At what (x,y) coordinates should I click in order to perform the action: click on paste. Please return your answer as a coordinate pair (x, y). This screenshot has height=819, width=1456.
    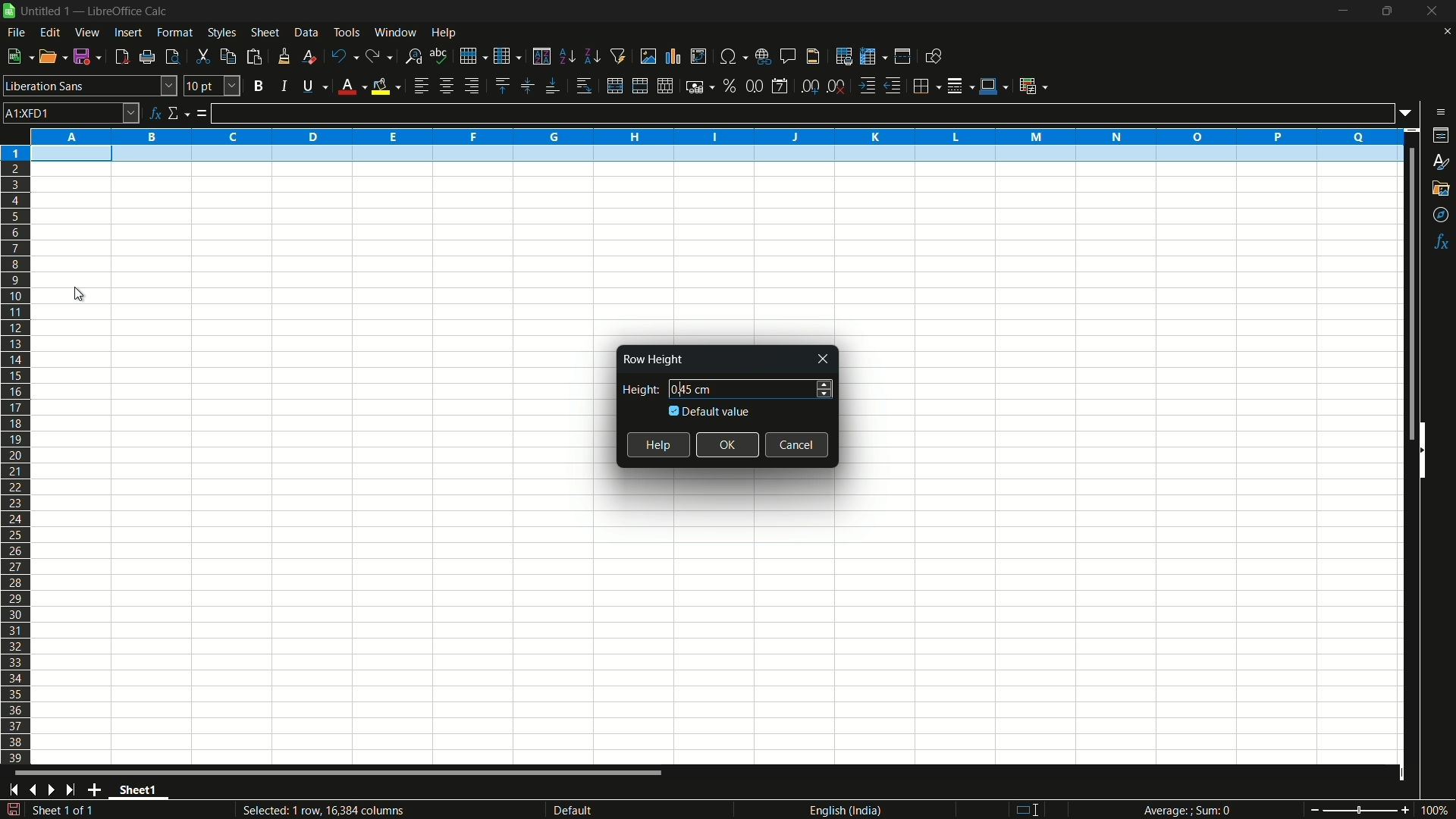
    Looking at the image, I should click on (254, 57).